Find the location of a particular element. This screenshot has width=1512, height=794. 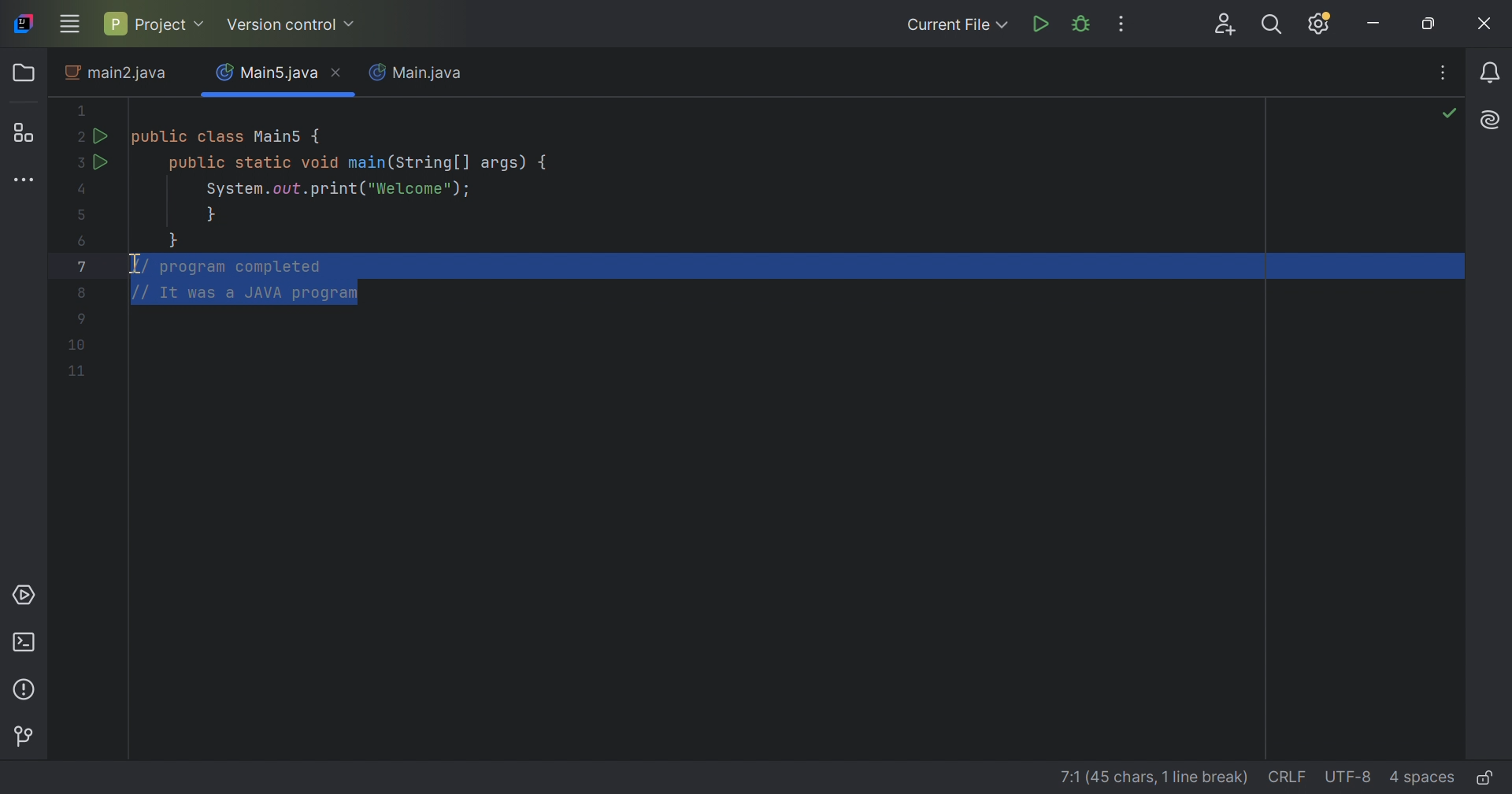

Minimize is located at coordinates (1373, 28).